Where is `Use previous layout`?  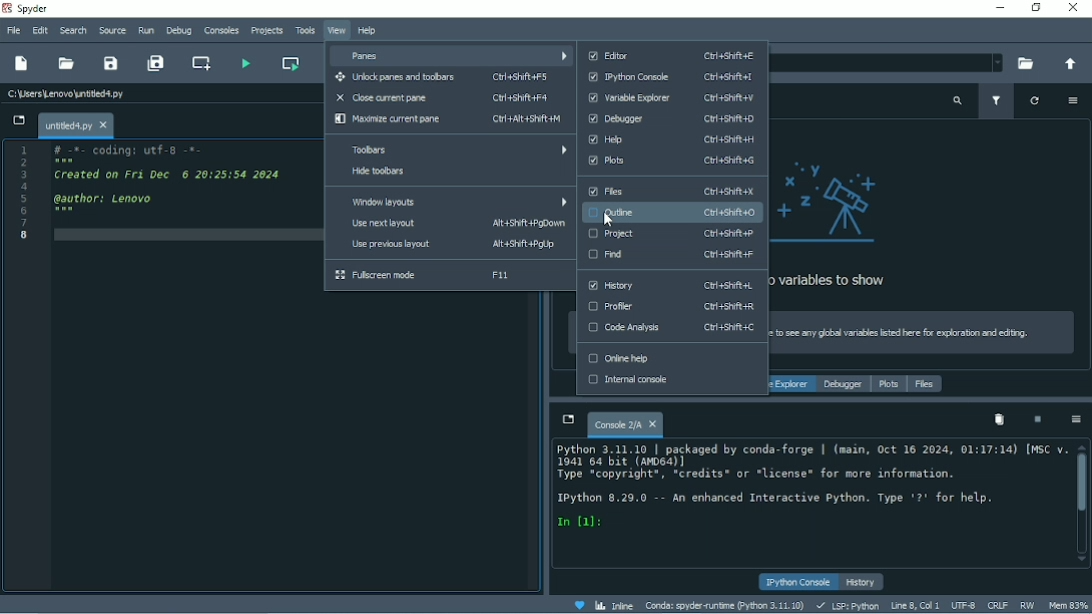 Use previous layout is located at coordinates (448, 245).